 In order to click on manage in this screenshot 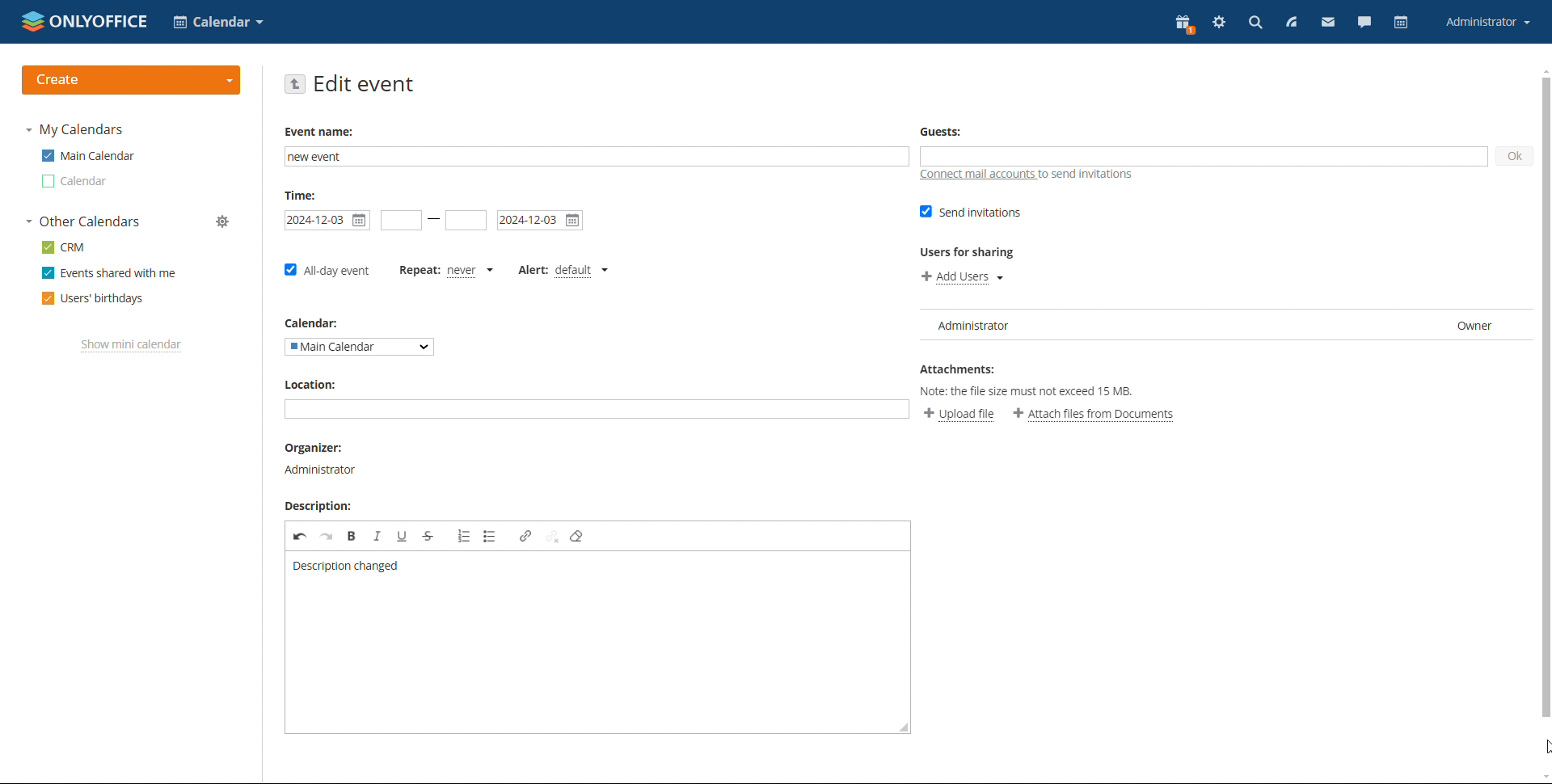, I will do `click(223, 221)`.